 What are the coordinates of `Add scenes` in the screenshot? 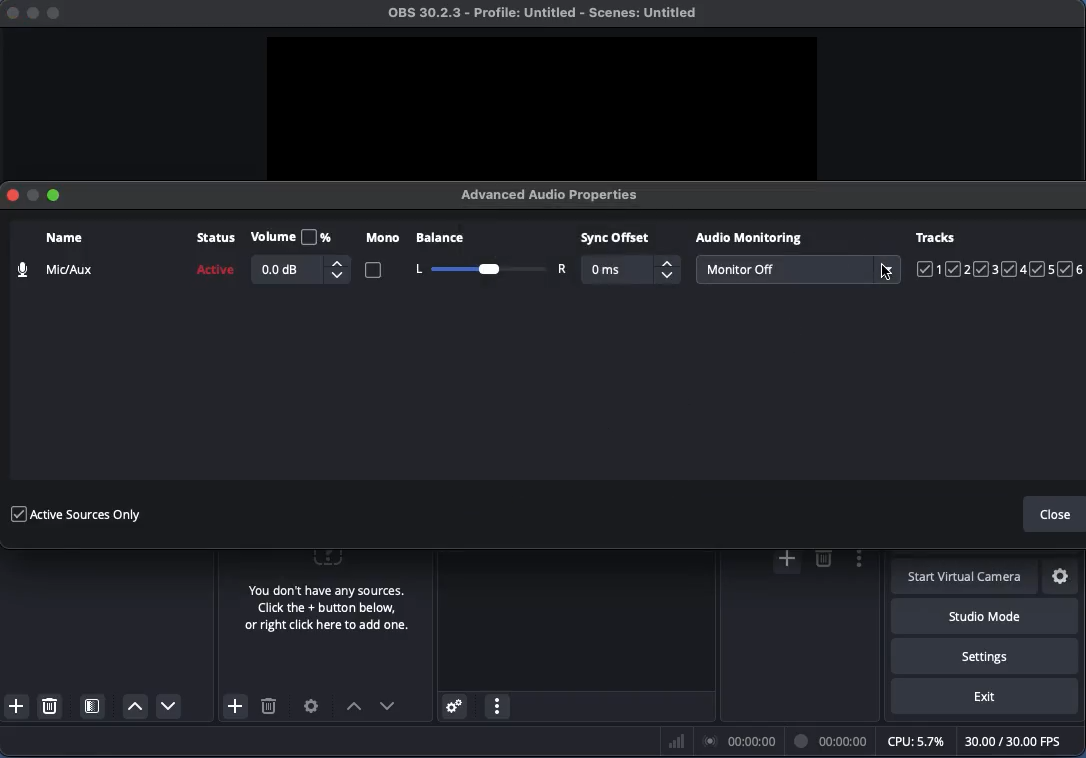 It's located at (17, 706).